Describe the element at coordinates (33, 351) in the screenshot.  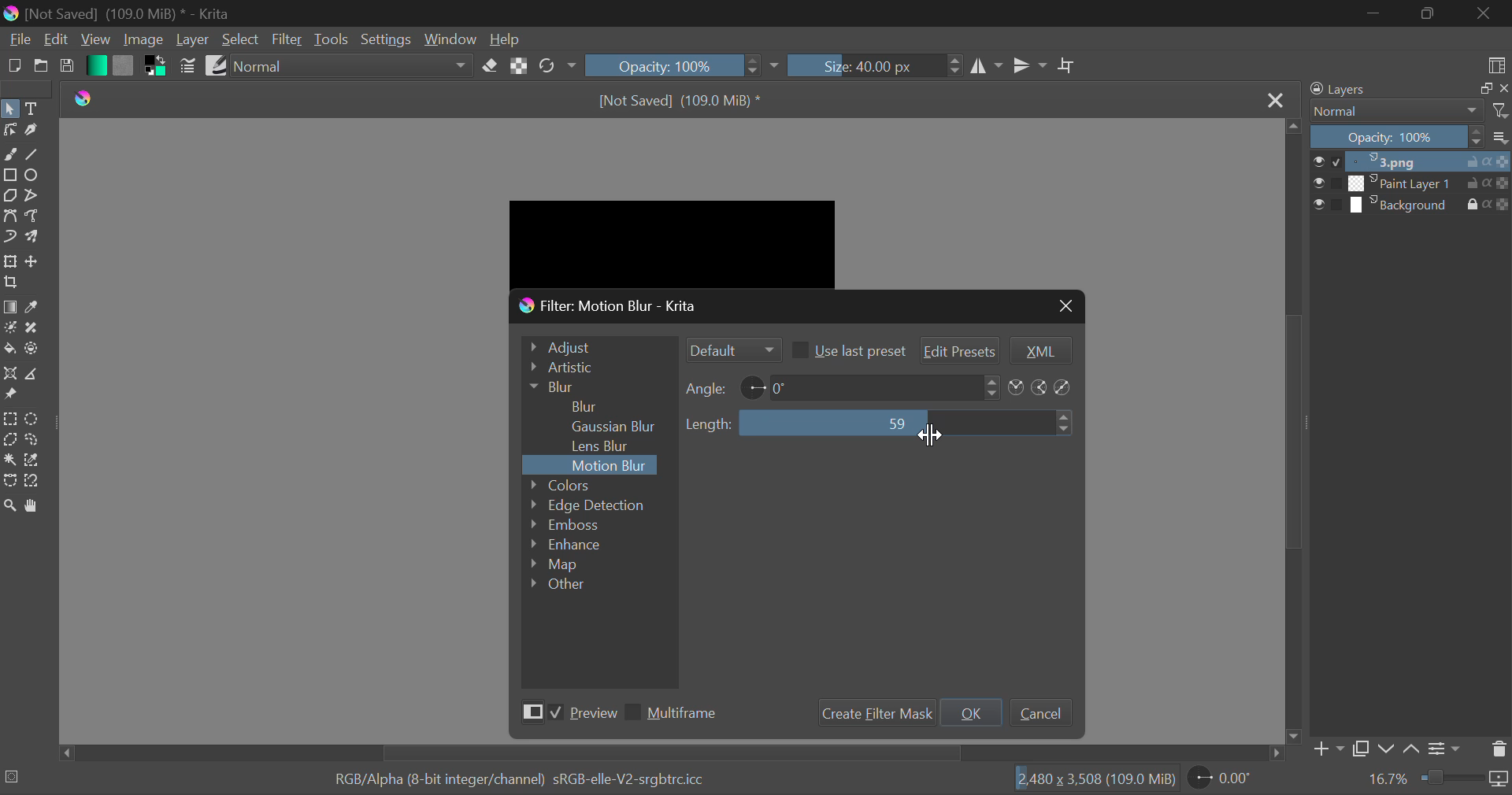
I see `Enclose and Fill` at that location.